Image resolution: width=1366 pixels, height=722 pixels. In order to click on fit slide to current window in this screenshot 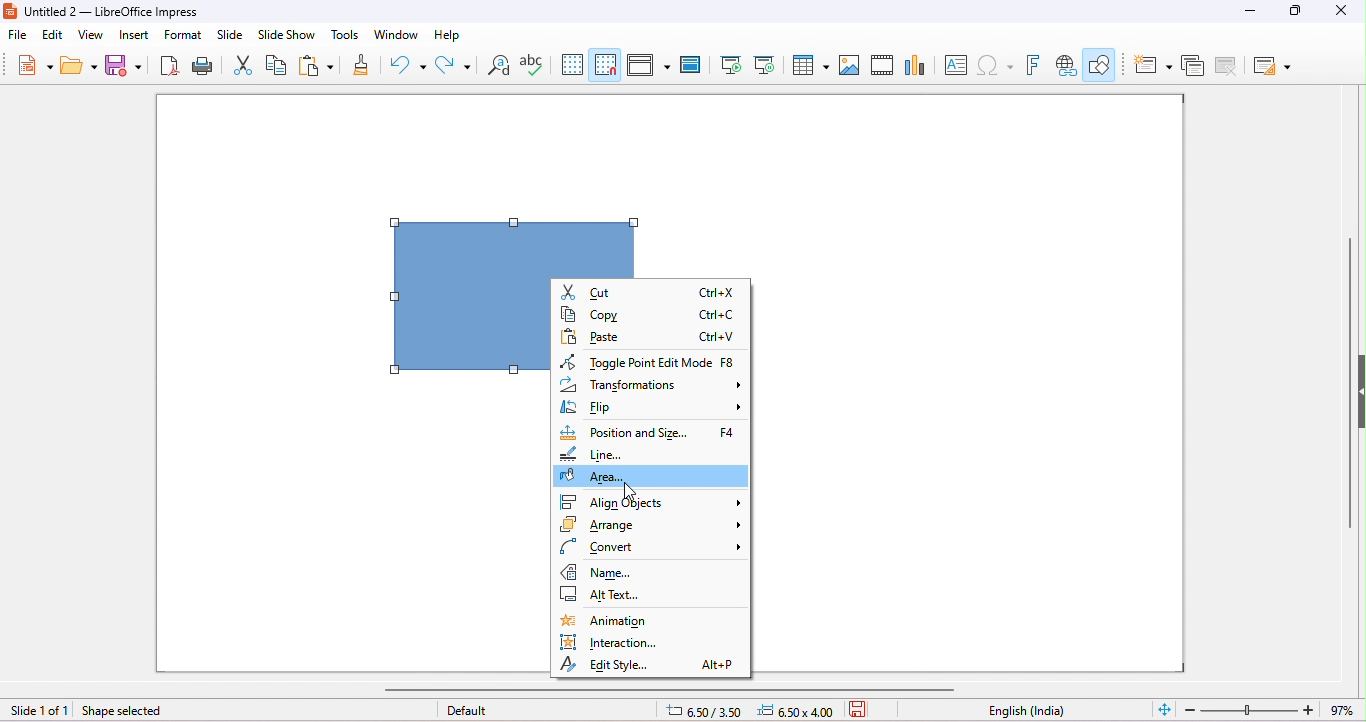, I will do `click(1165, 708)`.